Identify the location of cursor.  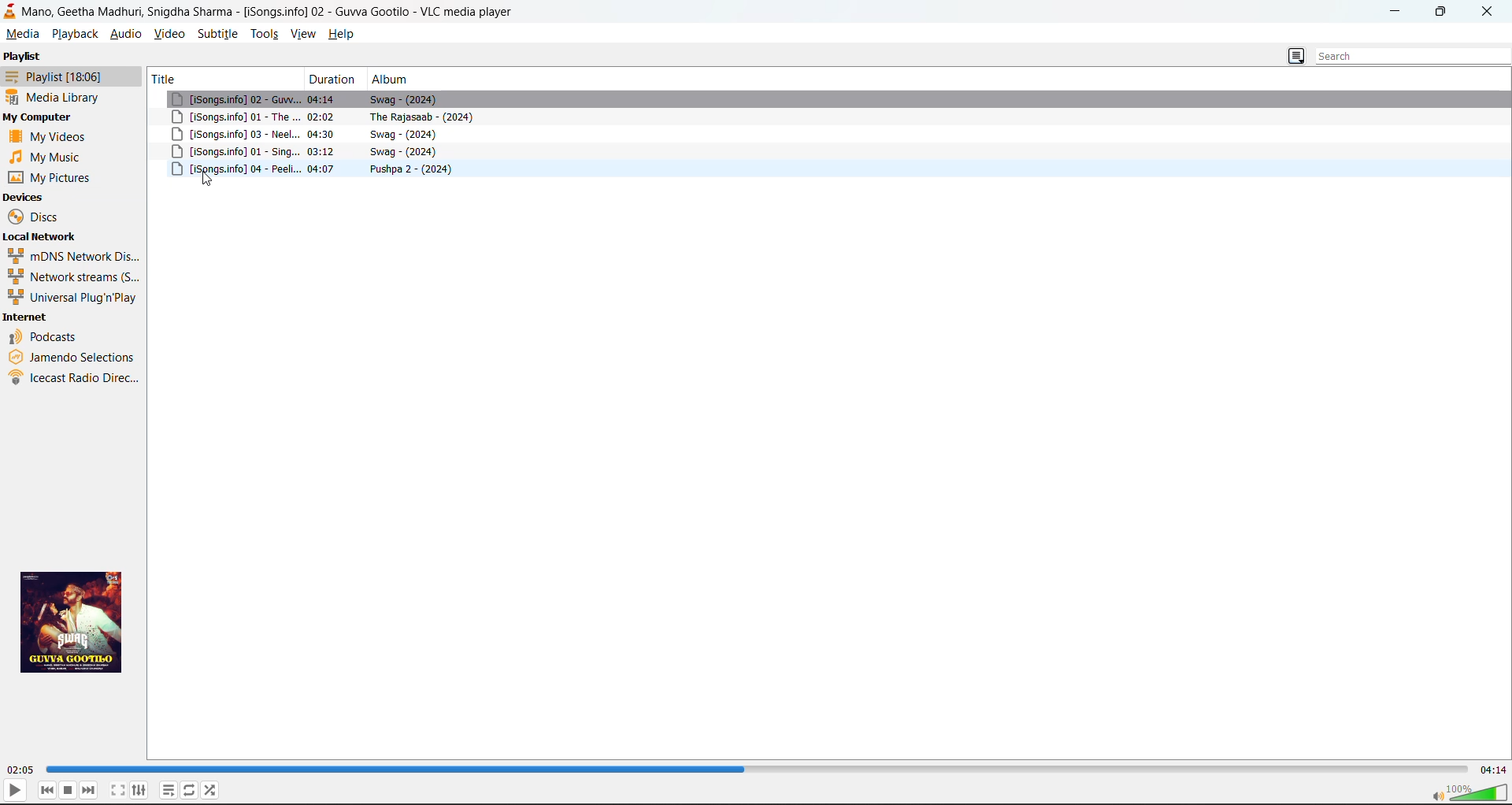
(207, 178).